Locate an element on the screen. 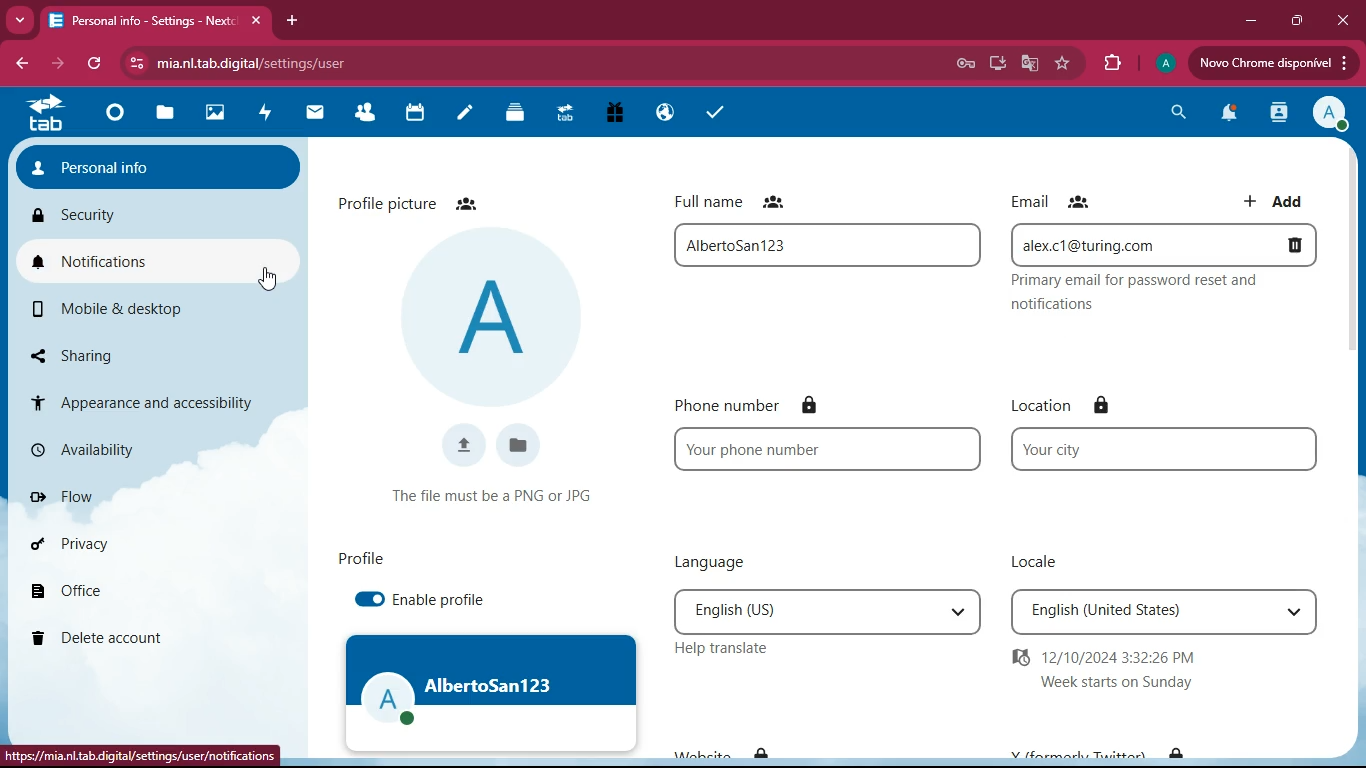 Image resolution: width=1366 pixels, height=768 pixels. privacy is located at coordinates (147, 543).